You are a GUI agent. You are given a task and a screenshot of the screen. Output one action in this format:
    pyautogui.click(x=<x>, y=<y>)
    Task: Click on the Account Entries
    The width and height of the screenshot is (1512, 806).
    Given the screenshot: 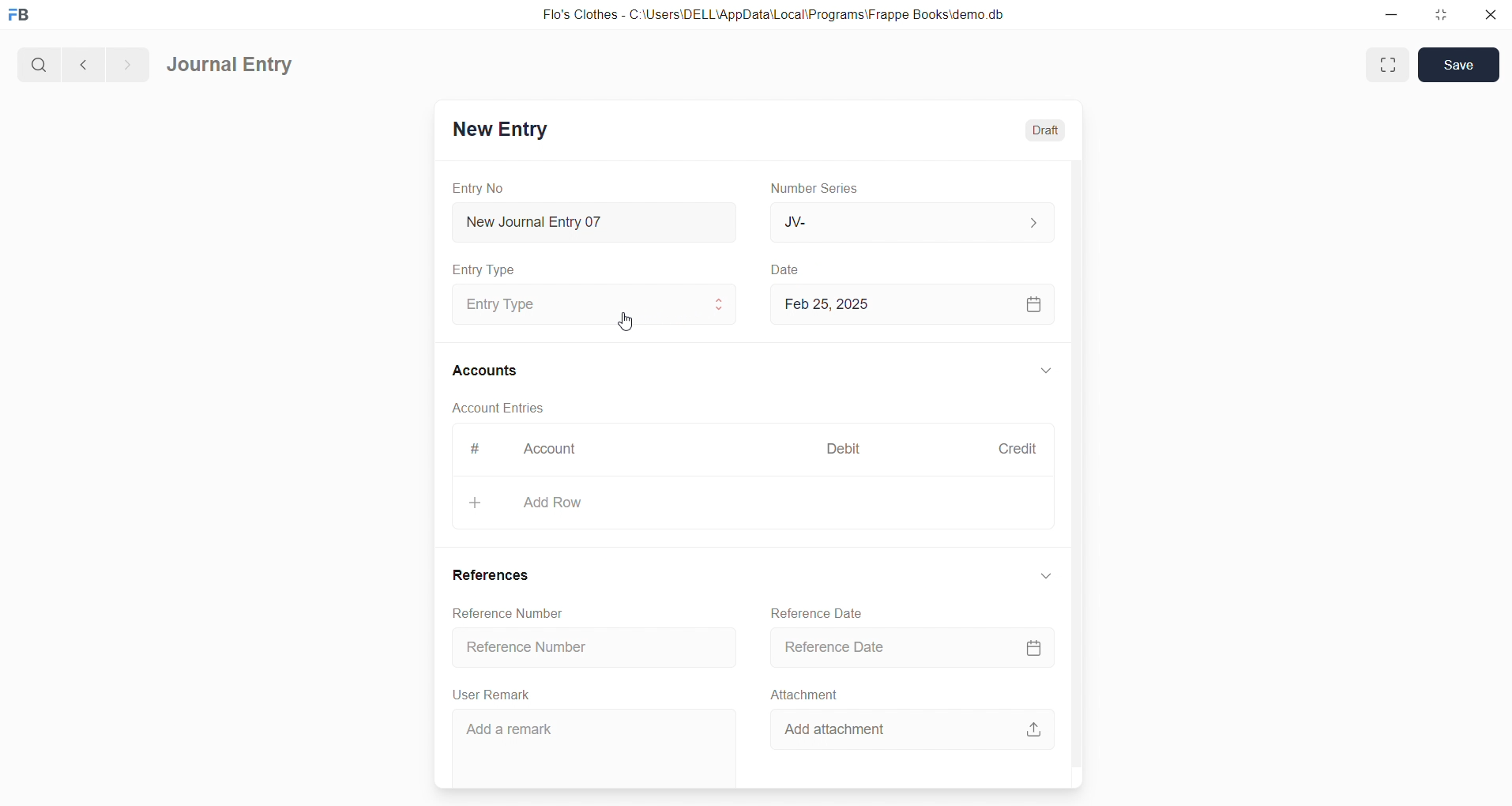 What is the action you would take?
    pyautogui.click(x=500, y=410)
    